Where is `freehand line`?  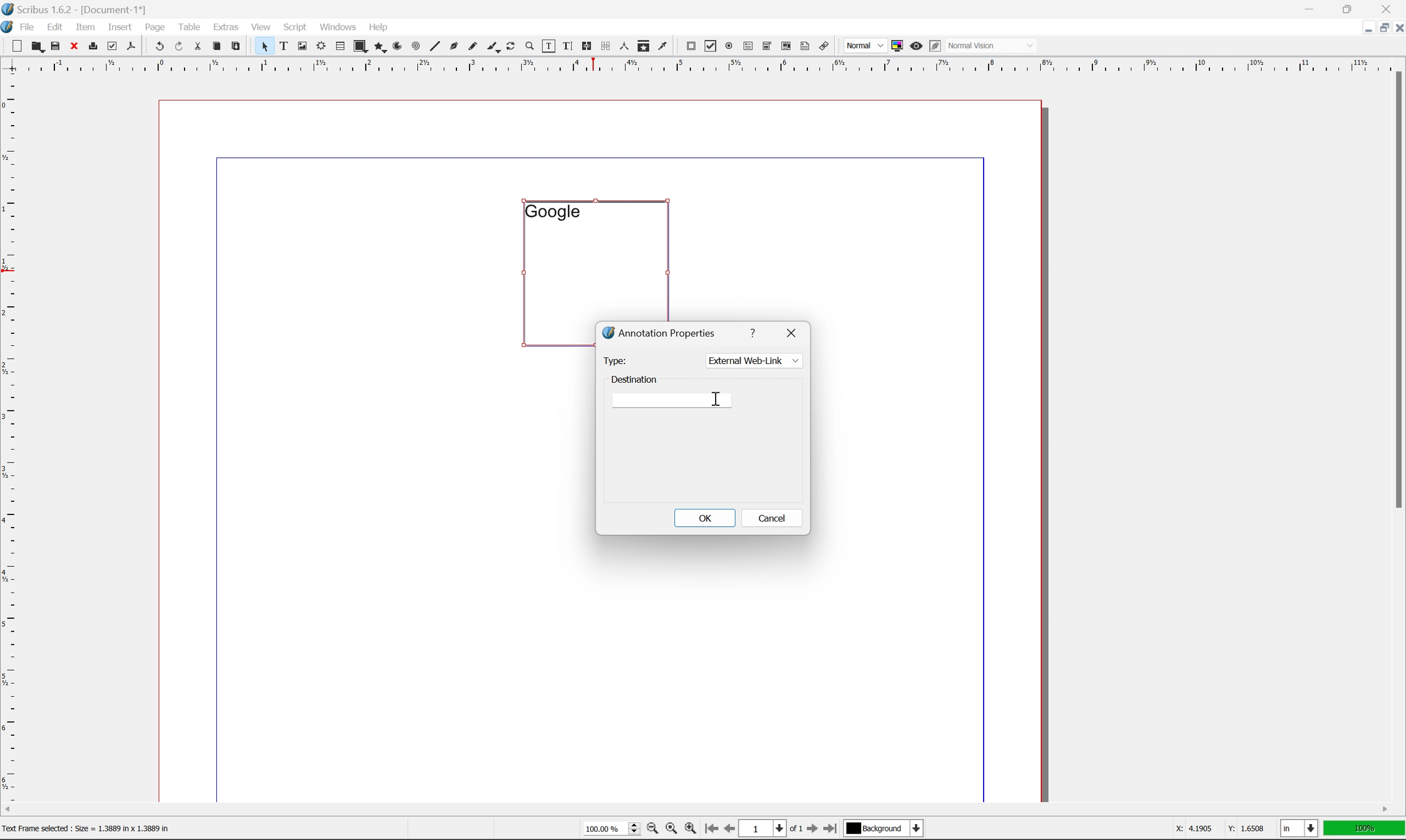 freehand line is located at coordinates (474, 47).